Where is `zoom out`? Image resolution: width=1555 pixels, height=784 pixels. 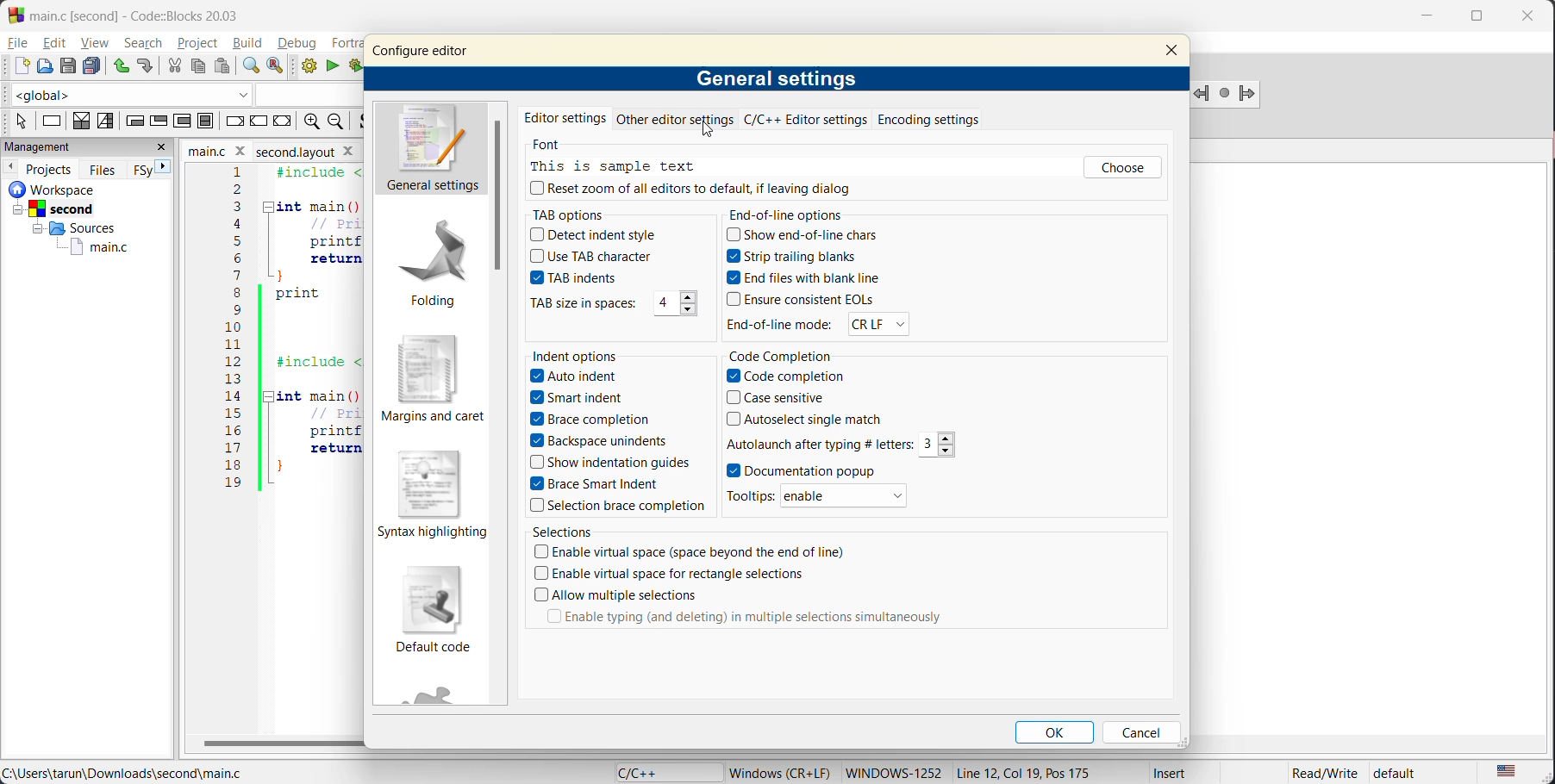 zoom out is located at coordinates (340, 122).